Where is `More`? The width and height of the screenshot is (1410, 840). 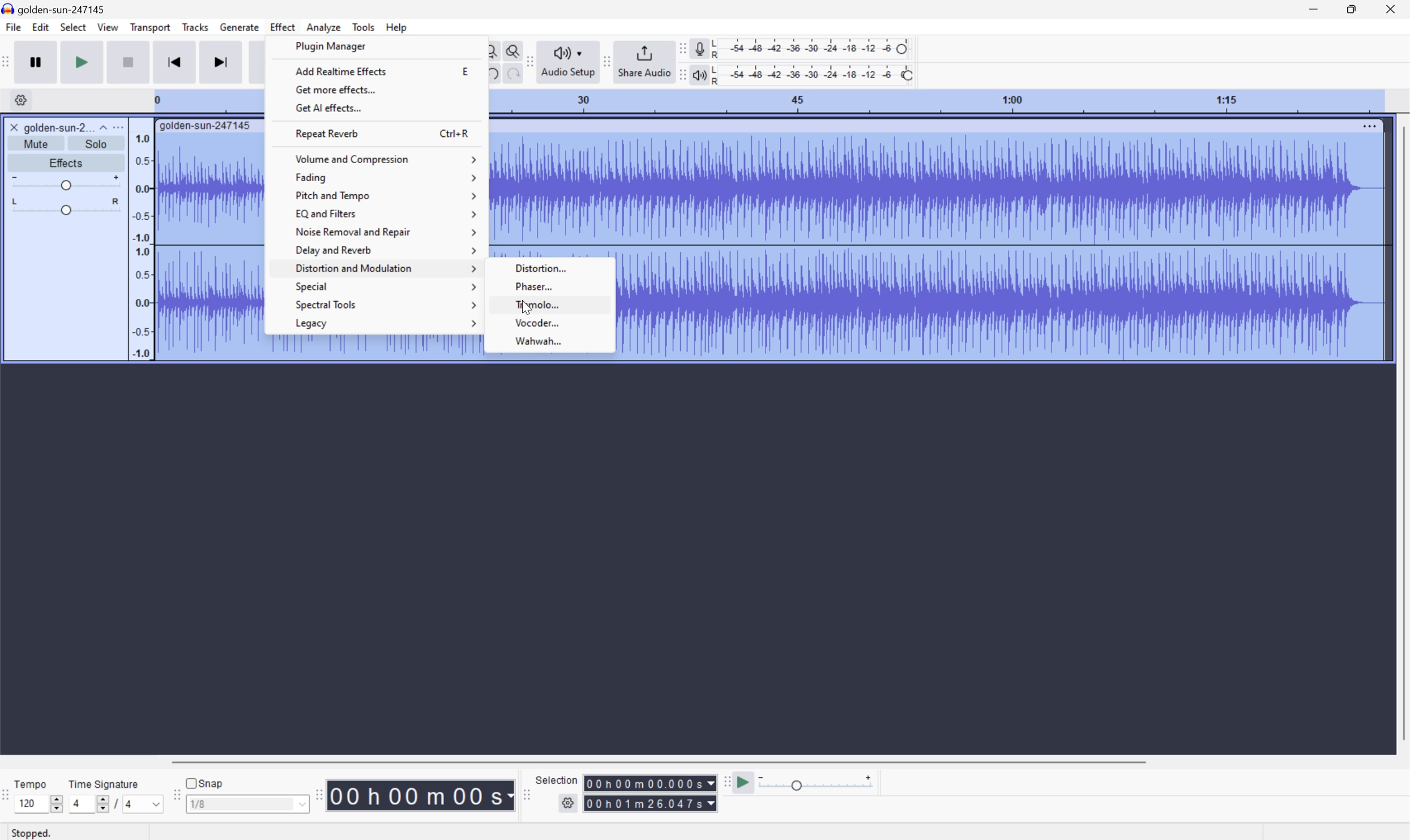
More is located at coordinates (121, 126).